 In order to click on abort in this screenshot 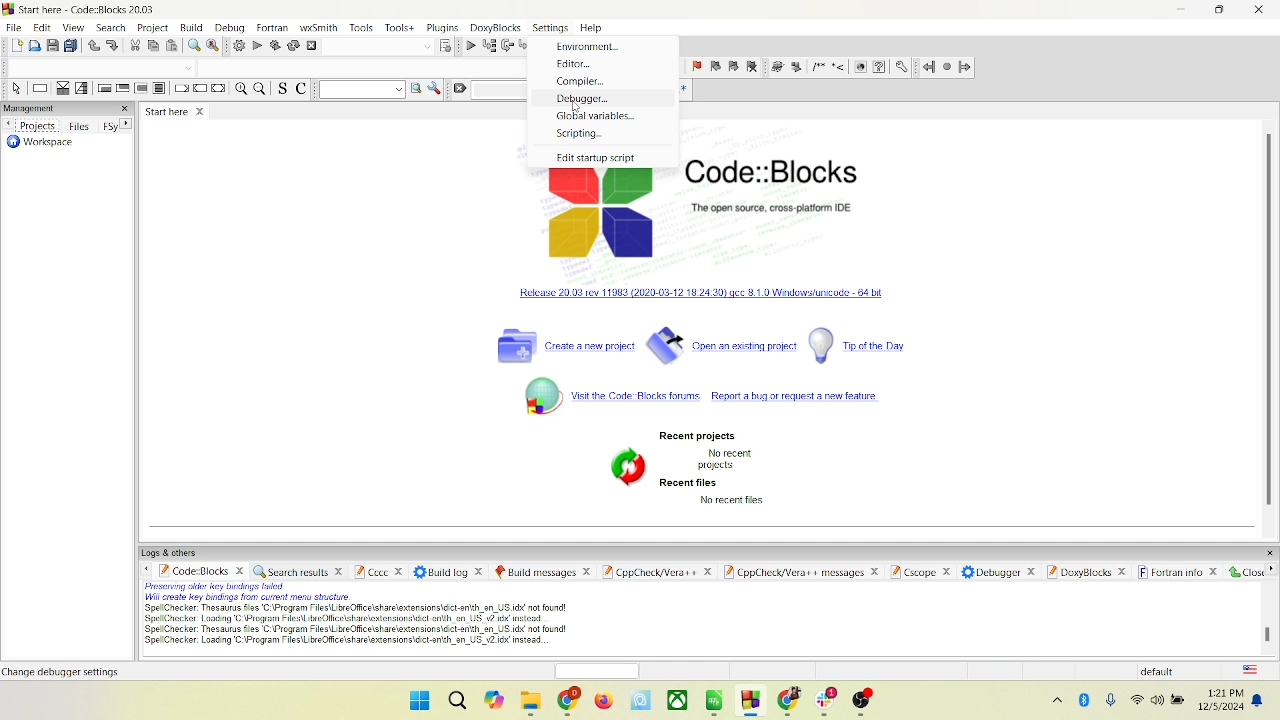, I will do `click(308, 46)`.